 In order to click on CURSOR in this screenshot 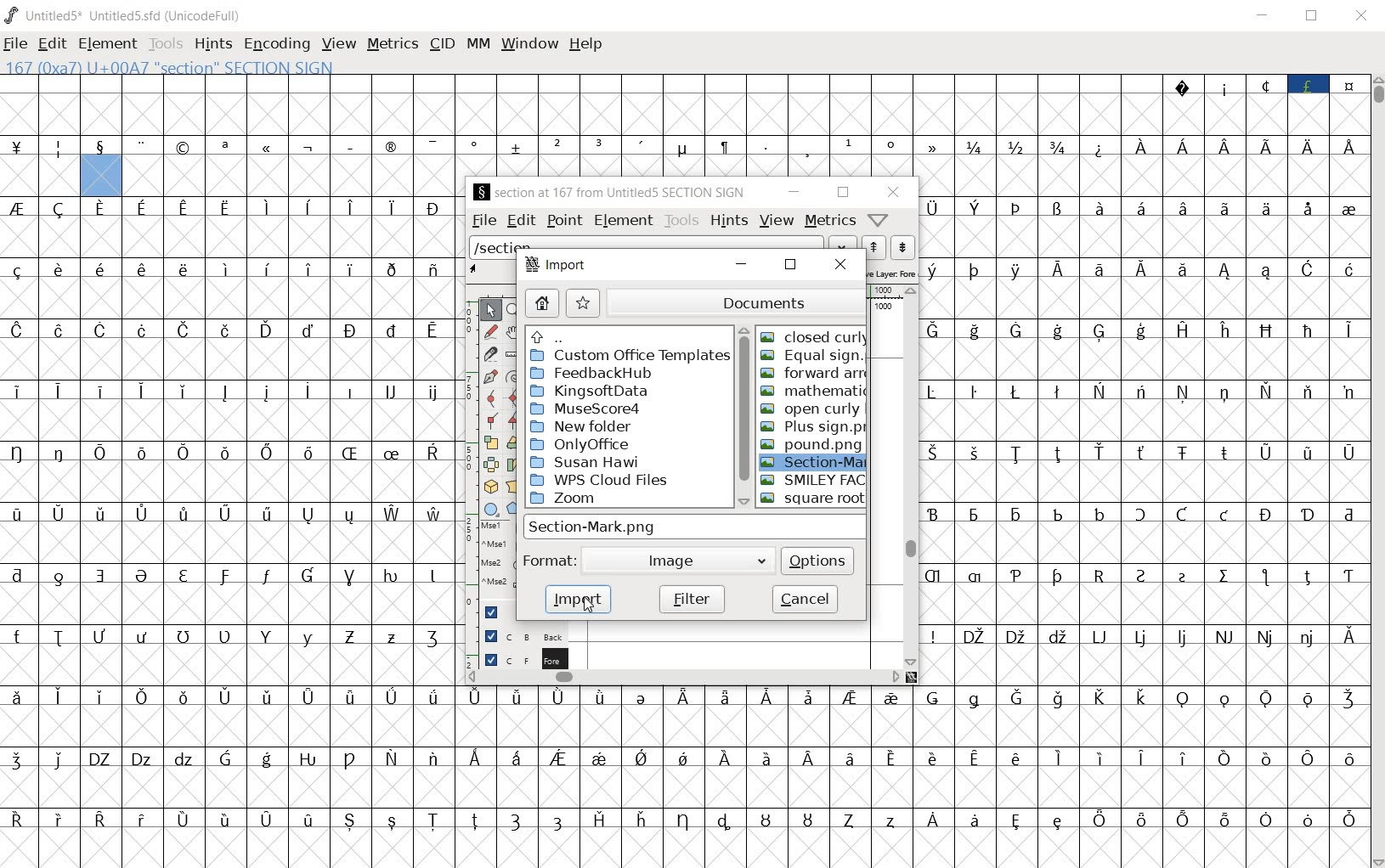, I will do `click(587, 605)`.